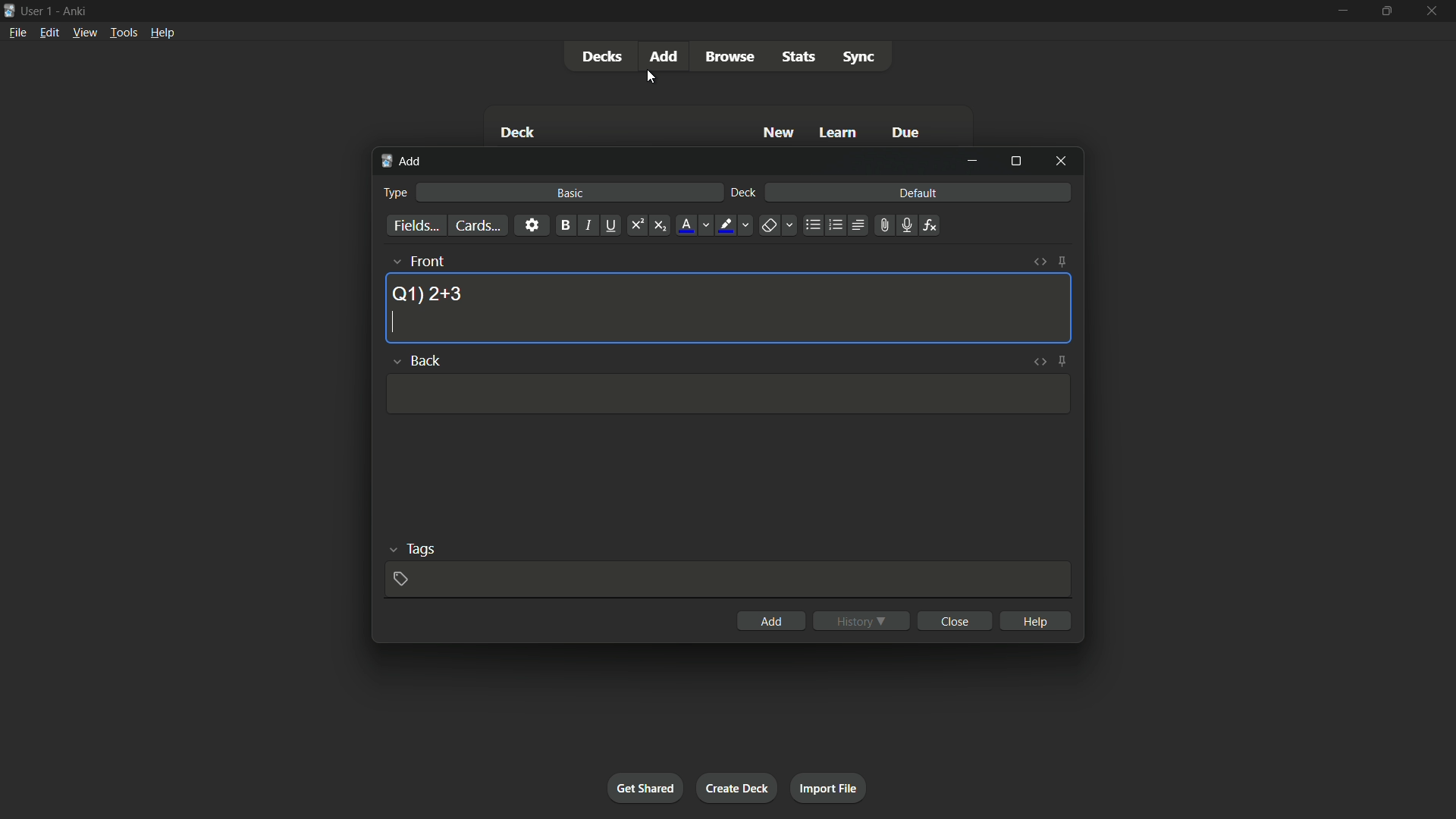 Image resolution: width=1456 pixels, height=819 pixels. I want to click on default, so click(918, 192).